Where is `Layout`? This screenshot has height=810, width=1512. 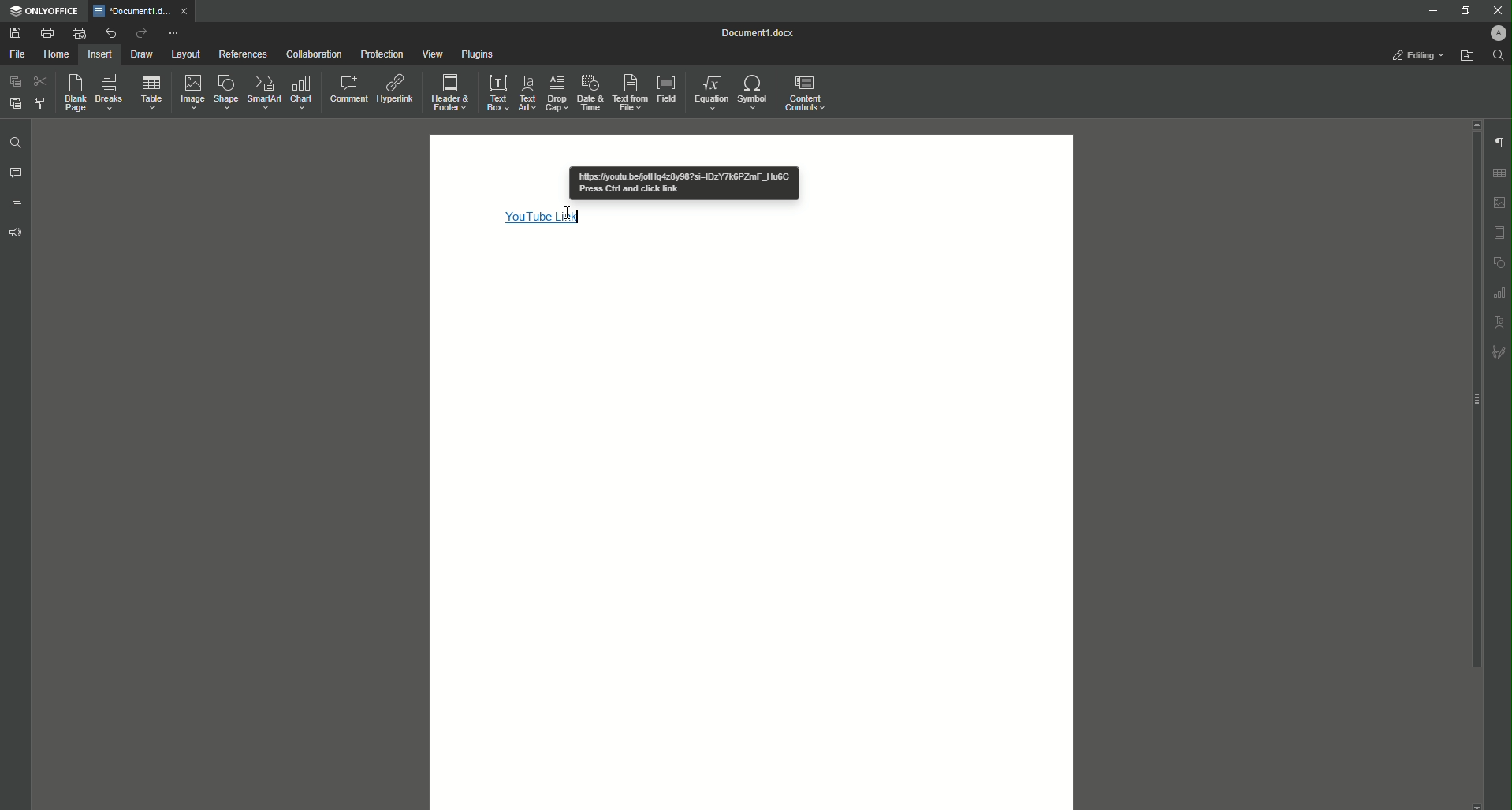
Layout is located at coordinates (184, 54).